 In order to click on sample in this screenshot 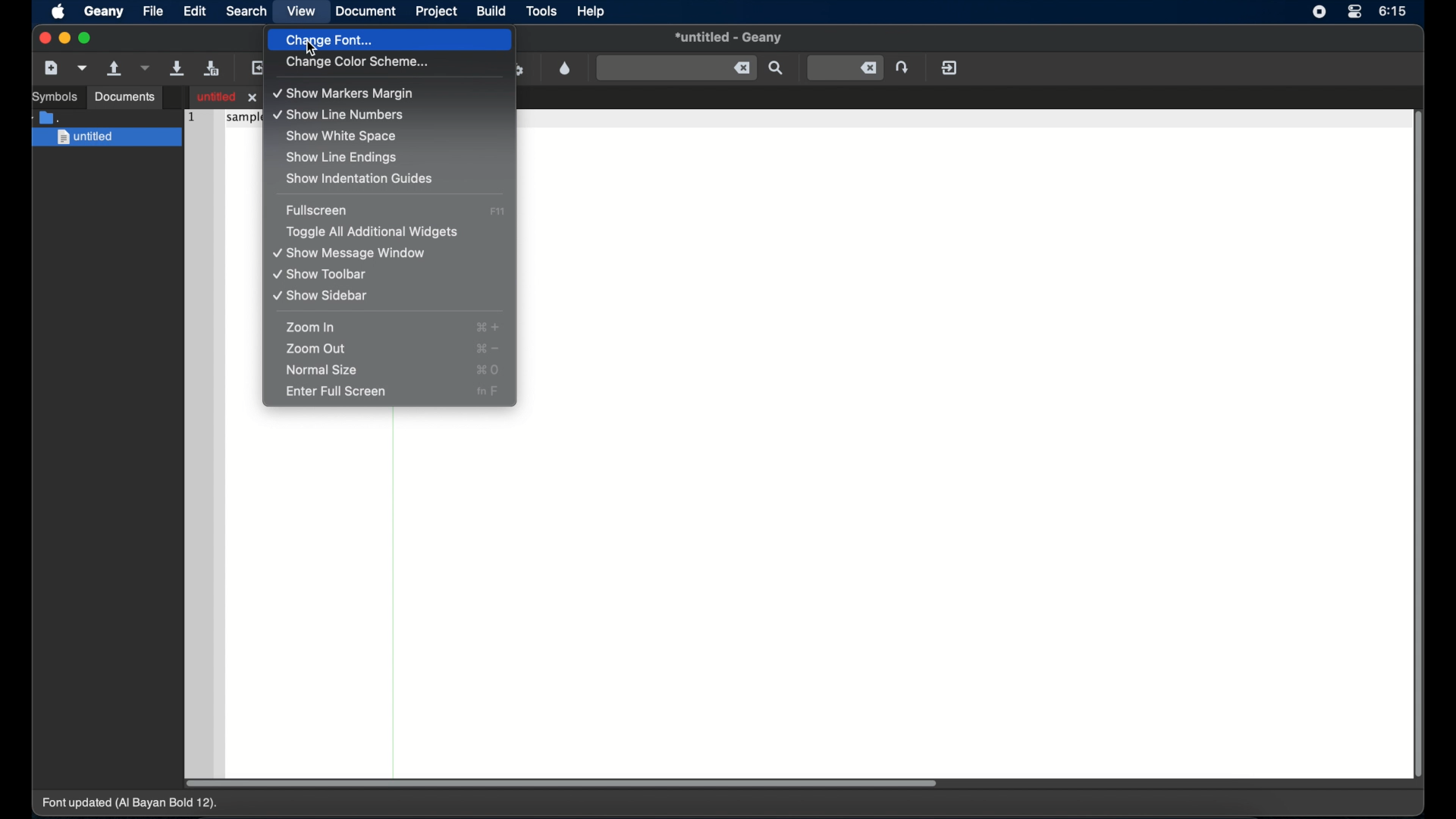, I will do `click(243, 119)`.